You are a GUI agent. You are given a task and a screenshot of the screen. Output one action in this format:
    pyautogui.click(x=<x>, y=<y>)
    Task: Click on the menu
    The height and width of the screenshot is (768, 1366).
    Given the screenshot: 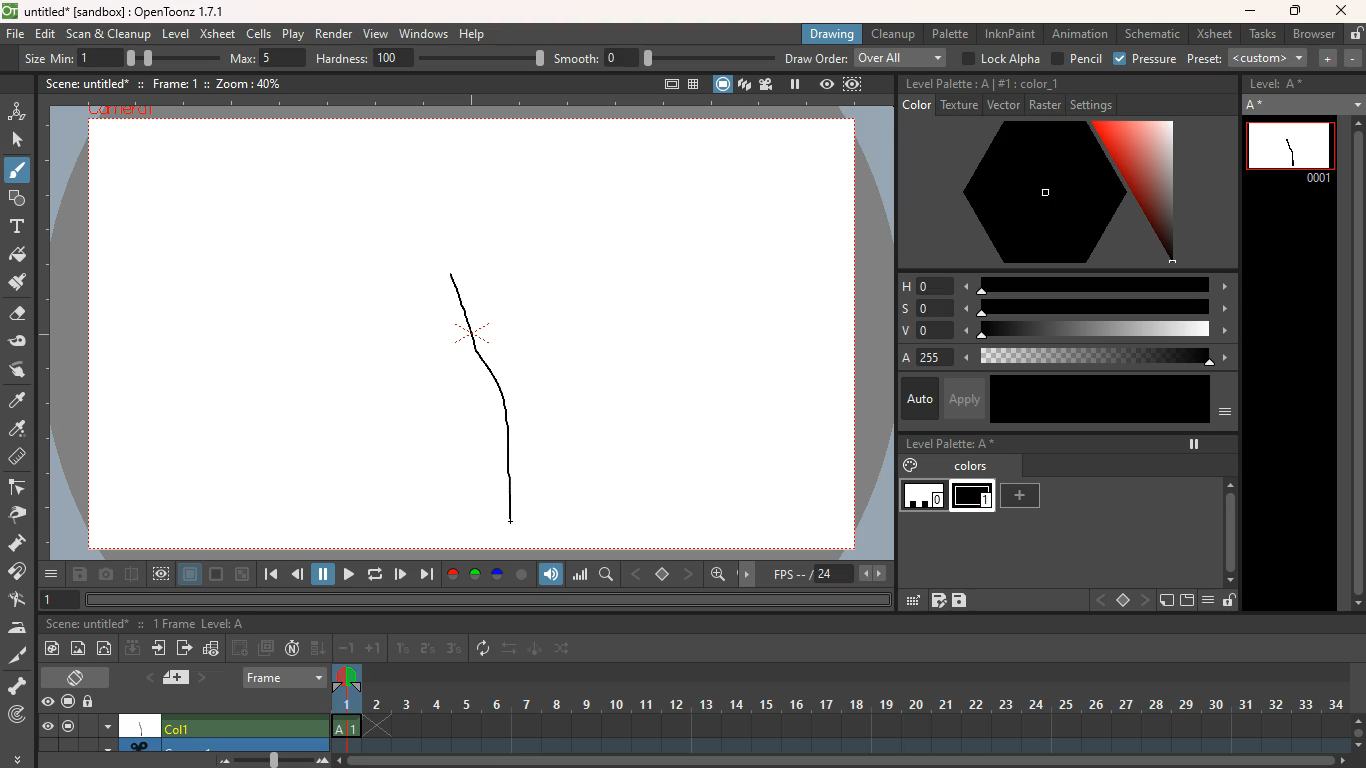 What is the action you would take?
    pyautogui.click(x=107, y=725)
    